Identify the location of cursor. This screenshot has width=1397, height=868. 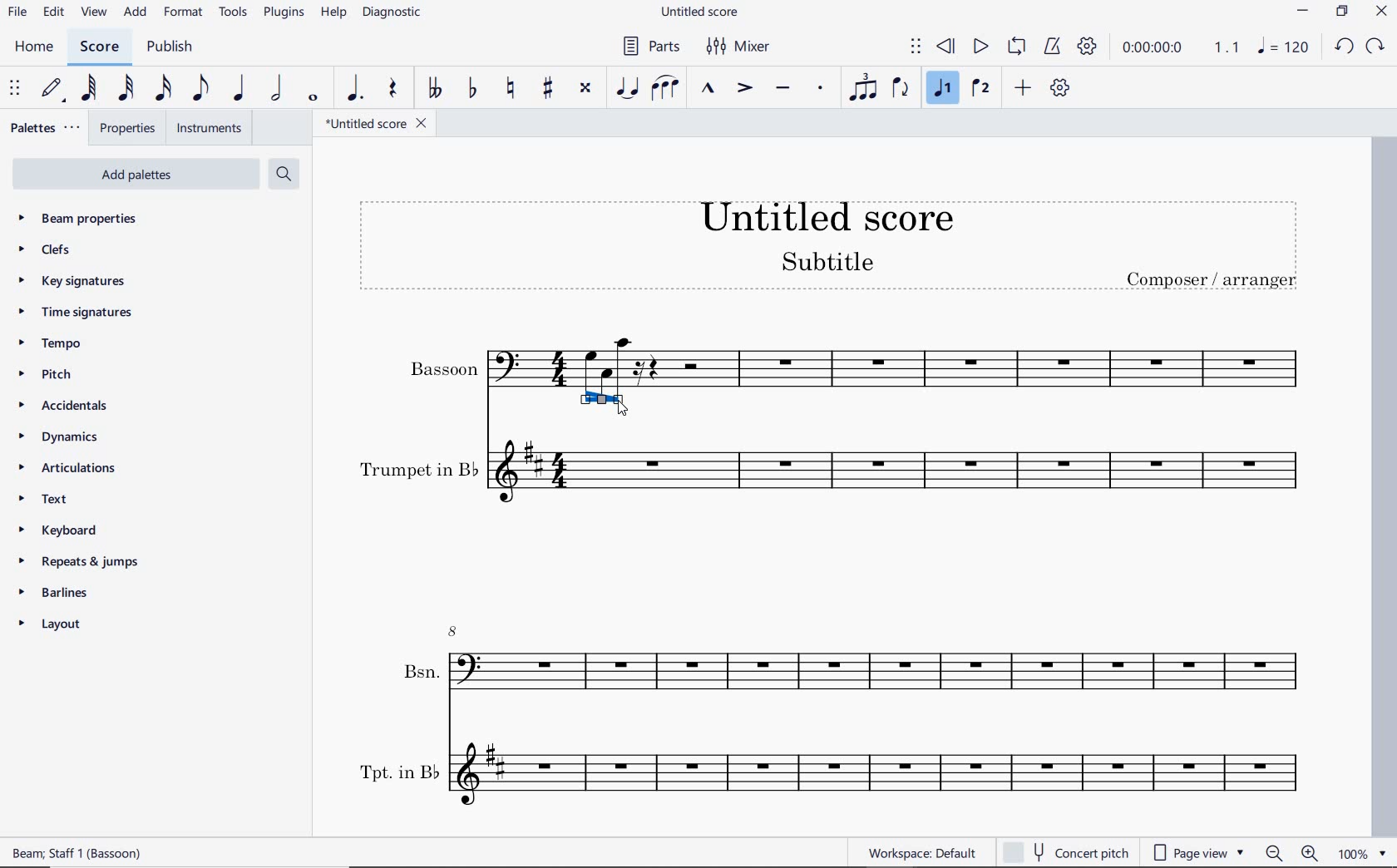
(624, 412).